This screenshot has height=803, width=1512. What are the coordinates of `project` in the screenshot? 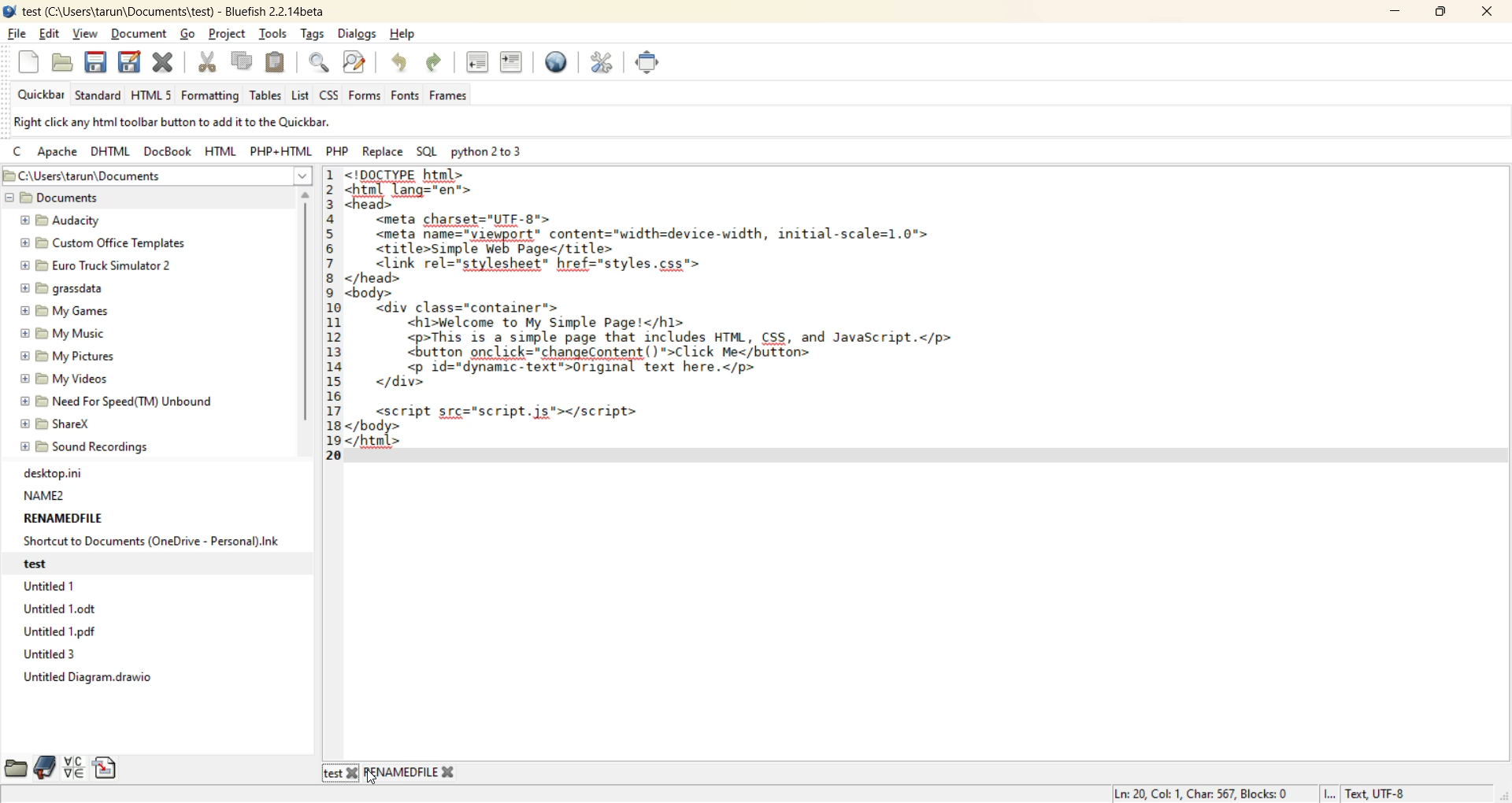 It's located at (227, 35).